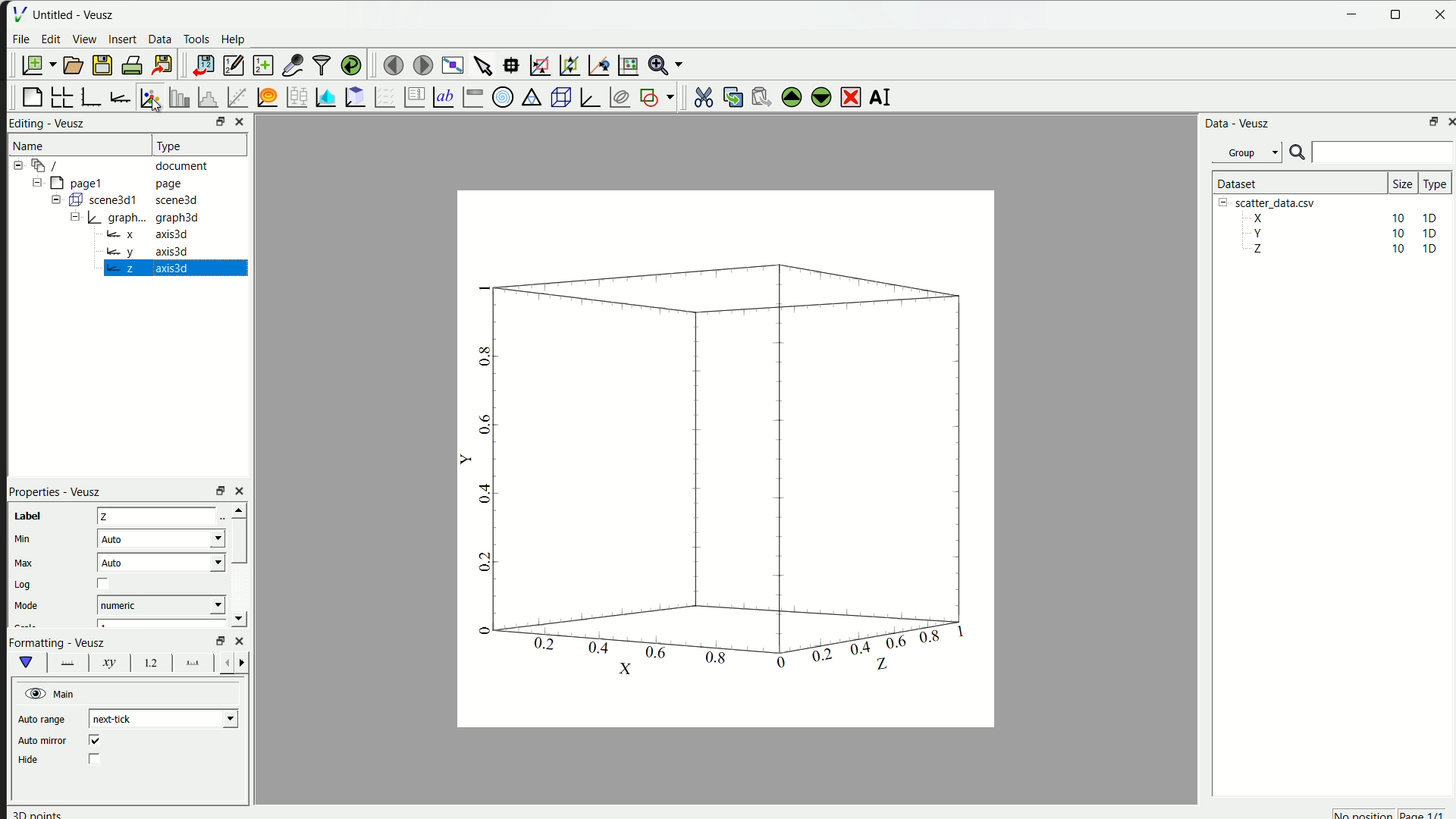 The image size is (1456, 819). Describe the element at coordinates (1272, 201) in the screenshot. I see `| [= scatter_data.csv` at that location.